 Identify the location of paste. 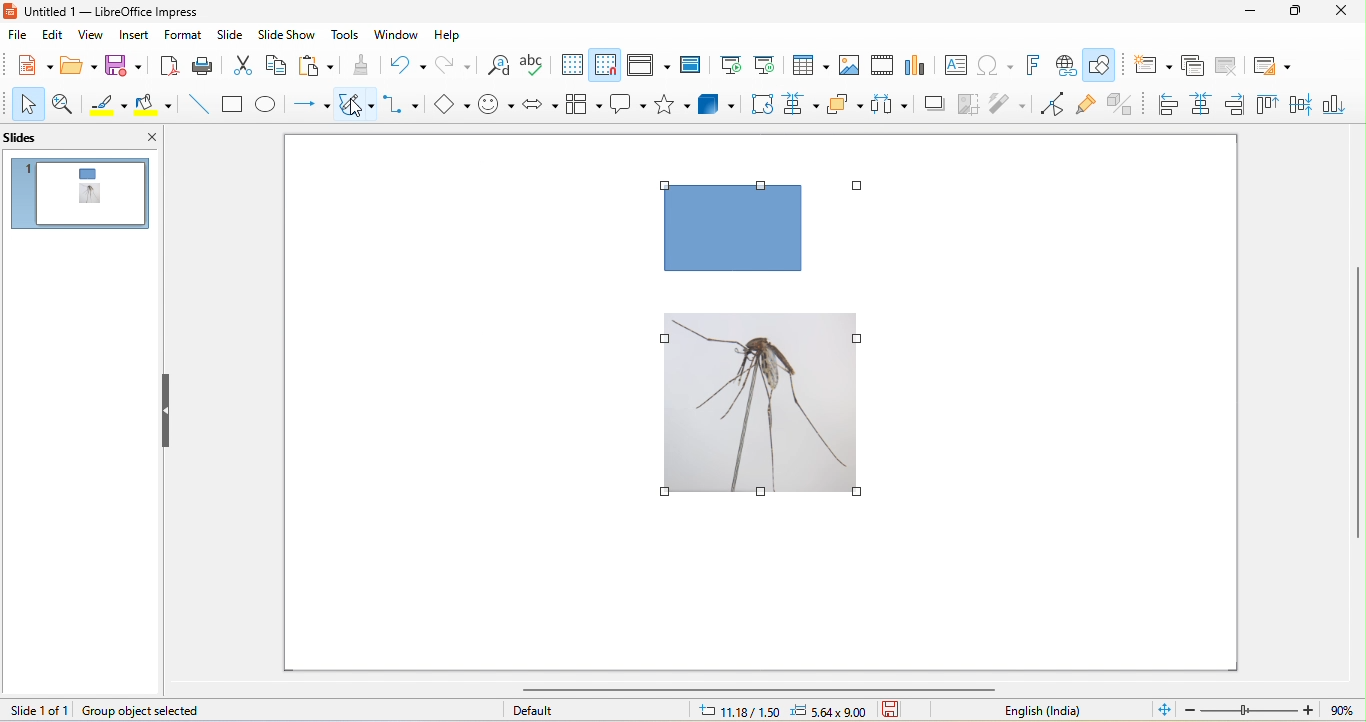
(316, 66).